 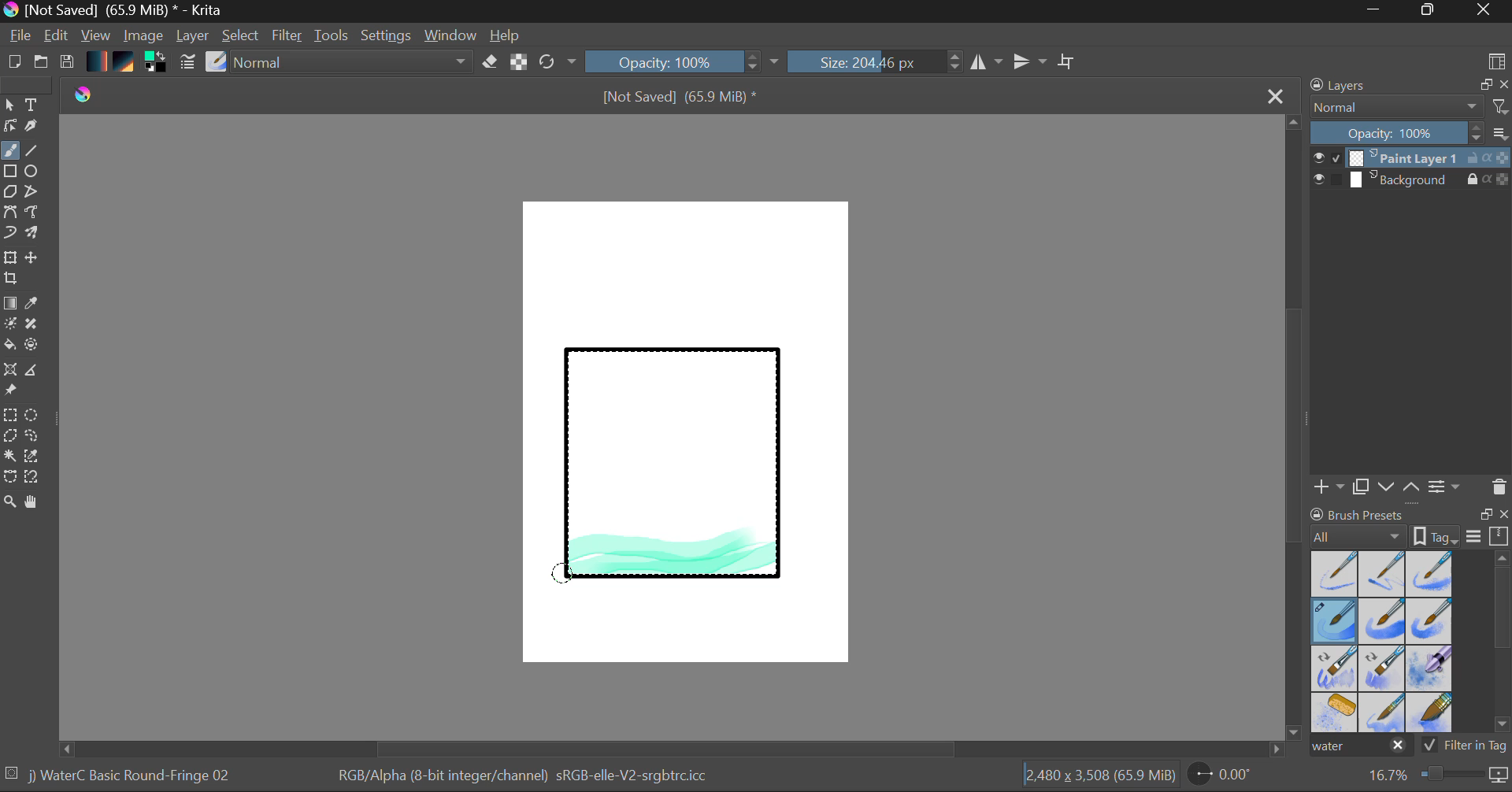 What do you see at coordinates (387, 35) in the screenshot?
I see `Settings` at bounding box center [387, 35].